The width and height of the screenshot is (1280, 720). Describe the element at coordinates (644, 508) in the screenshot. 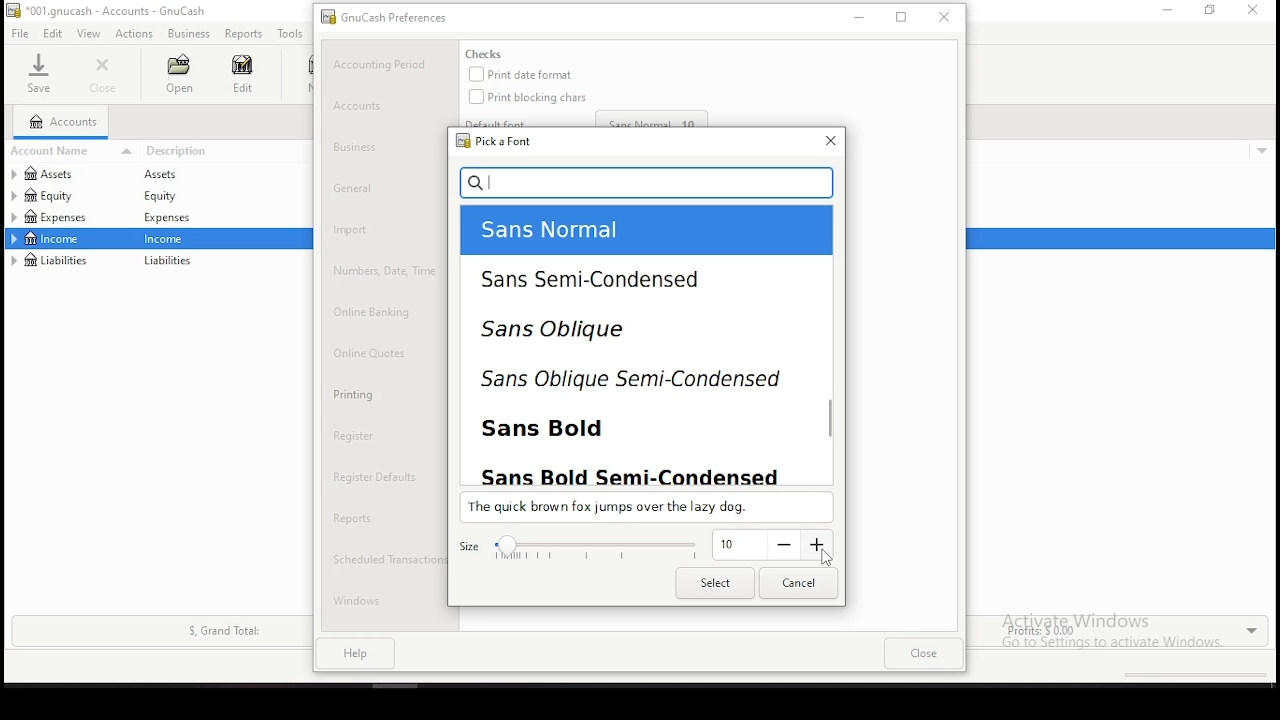

I see `font preview` at that location.